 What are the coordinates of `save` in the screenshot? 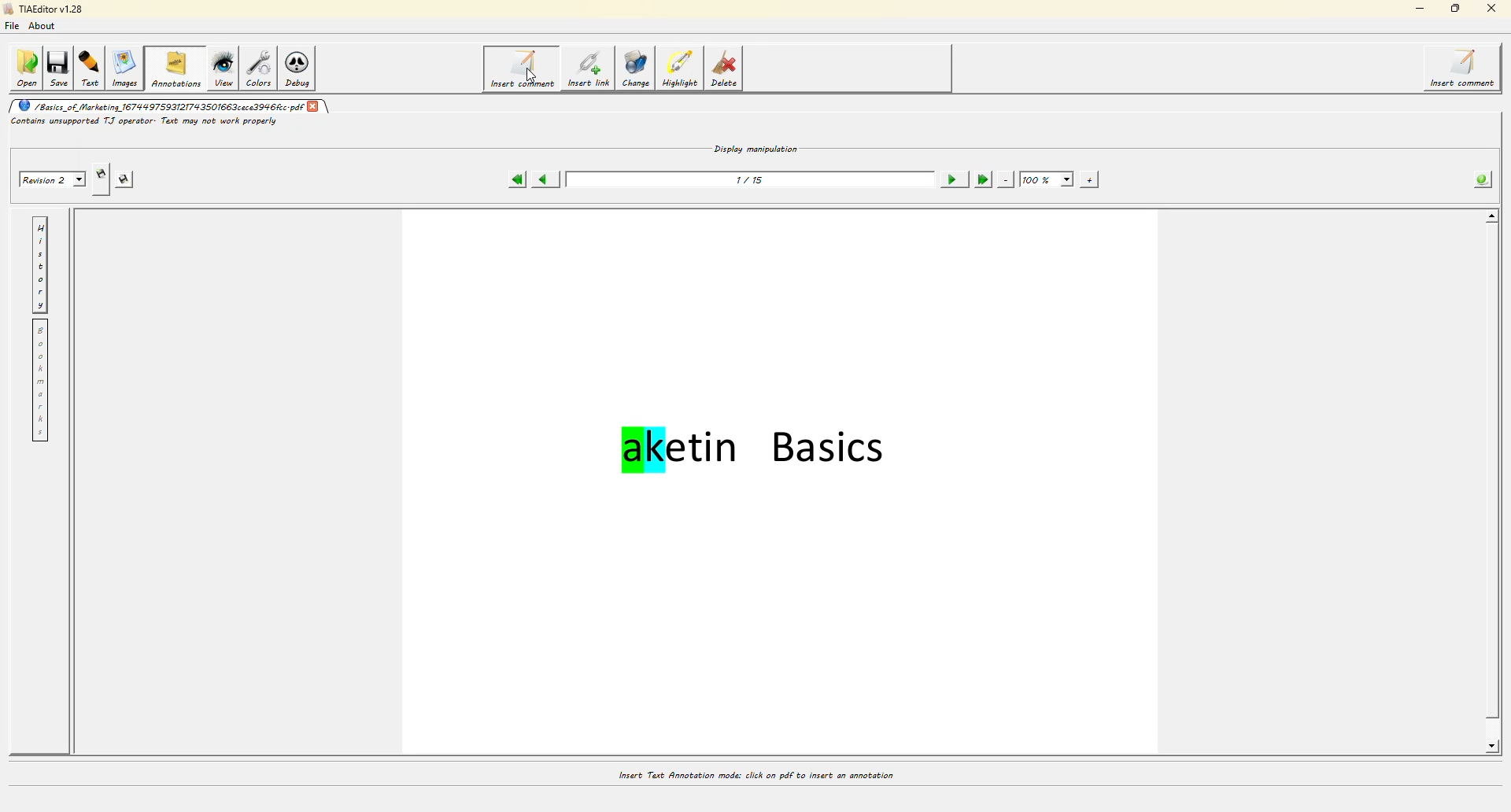 It's located at (61, 65).